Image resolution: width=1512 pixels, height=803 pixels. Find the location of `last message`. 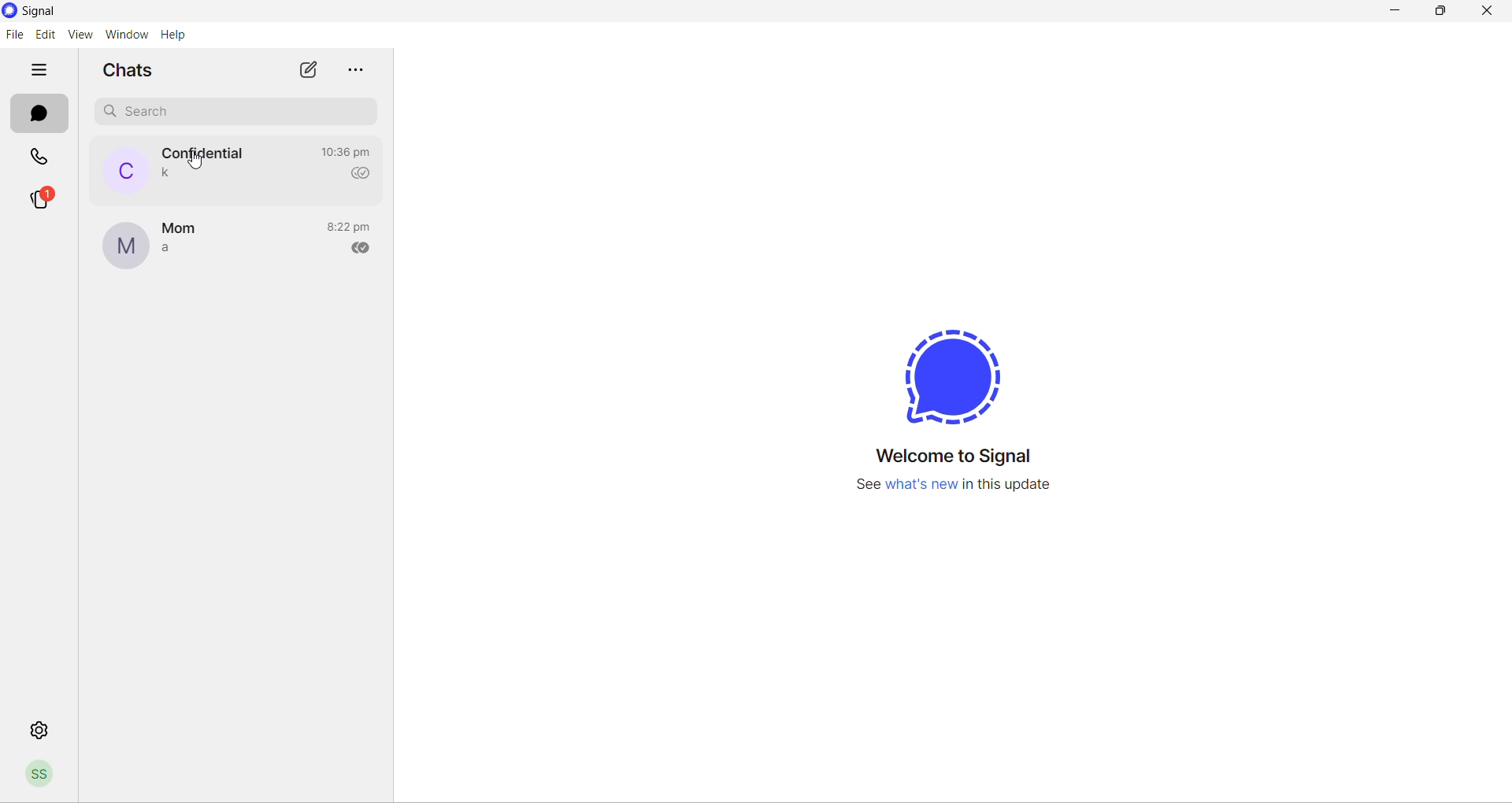

last message is located at coordinates (179, 253).